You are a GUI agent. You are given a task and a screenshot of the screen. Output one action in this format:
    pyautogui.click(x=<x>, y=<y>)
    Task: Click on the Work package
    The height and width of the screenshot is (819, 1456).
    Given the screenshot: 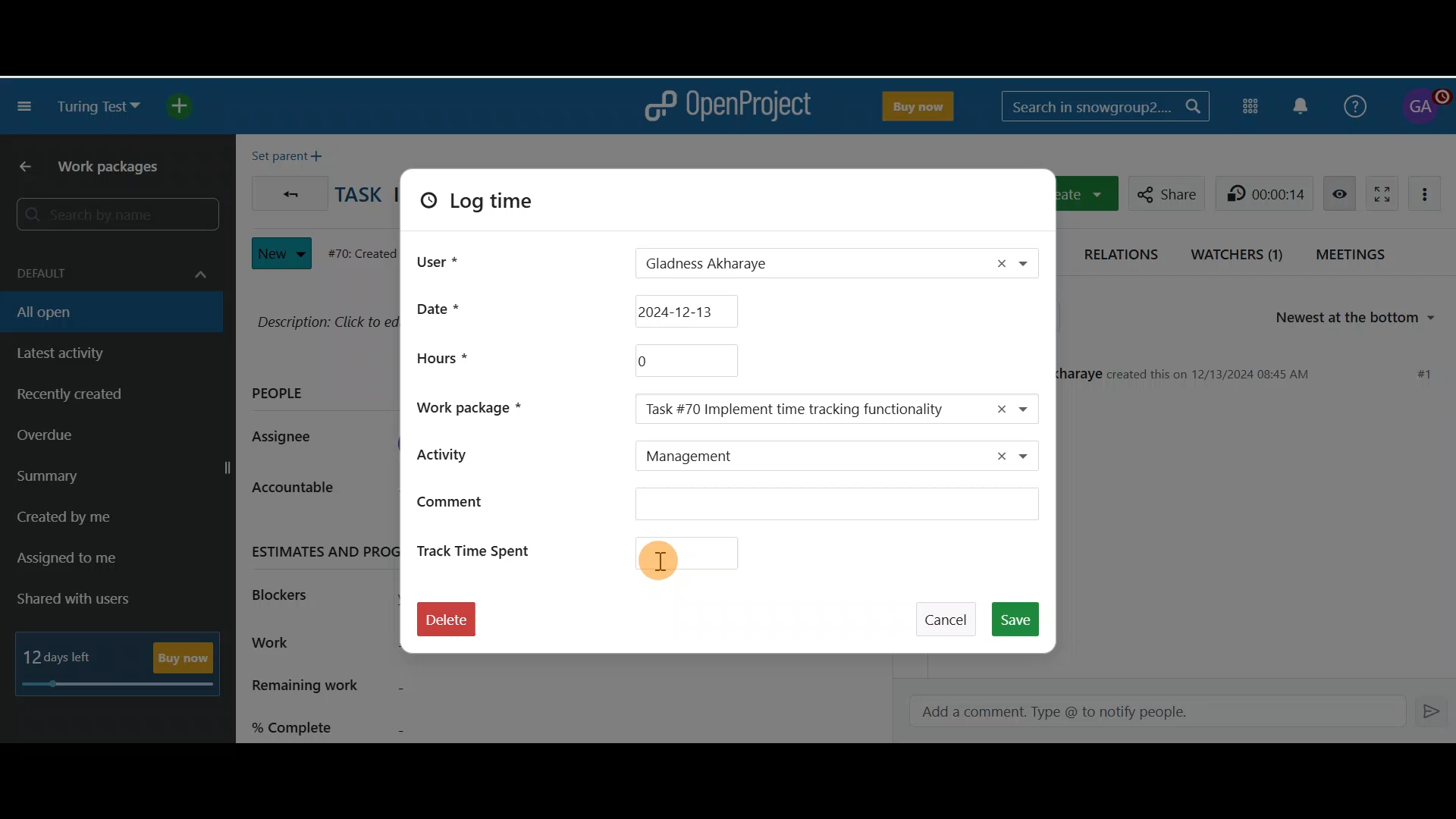 What is the action you would take?
    pyautogui.click(x=479, y=406)
    